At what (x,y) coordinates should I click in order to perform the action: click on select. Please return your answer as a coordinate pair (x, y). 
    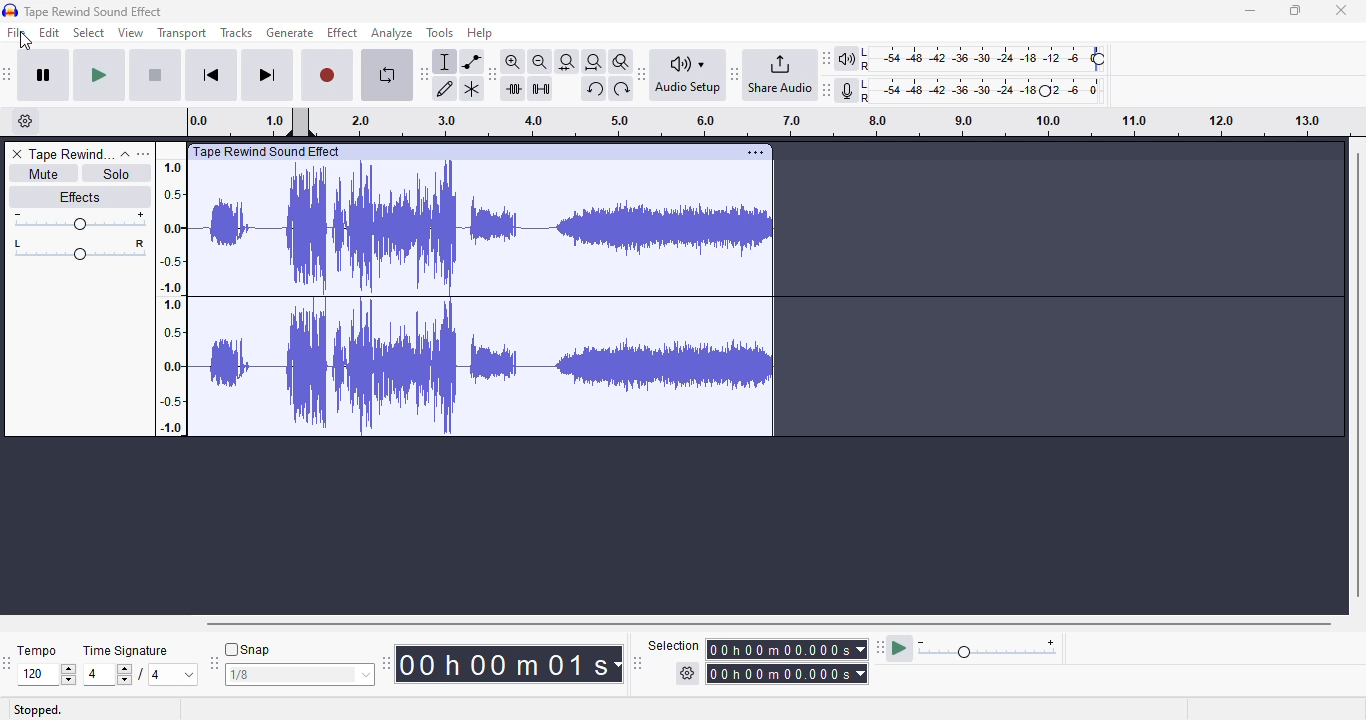
    Looking at the image, I should click on (90, 32).